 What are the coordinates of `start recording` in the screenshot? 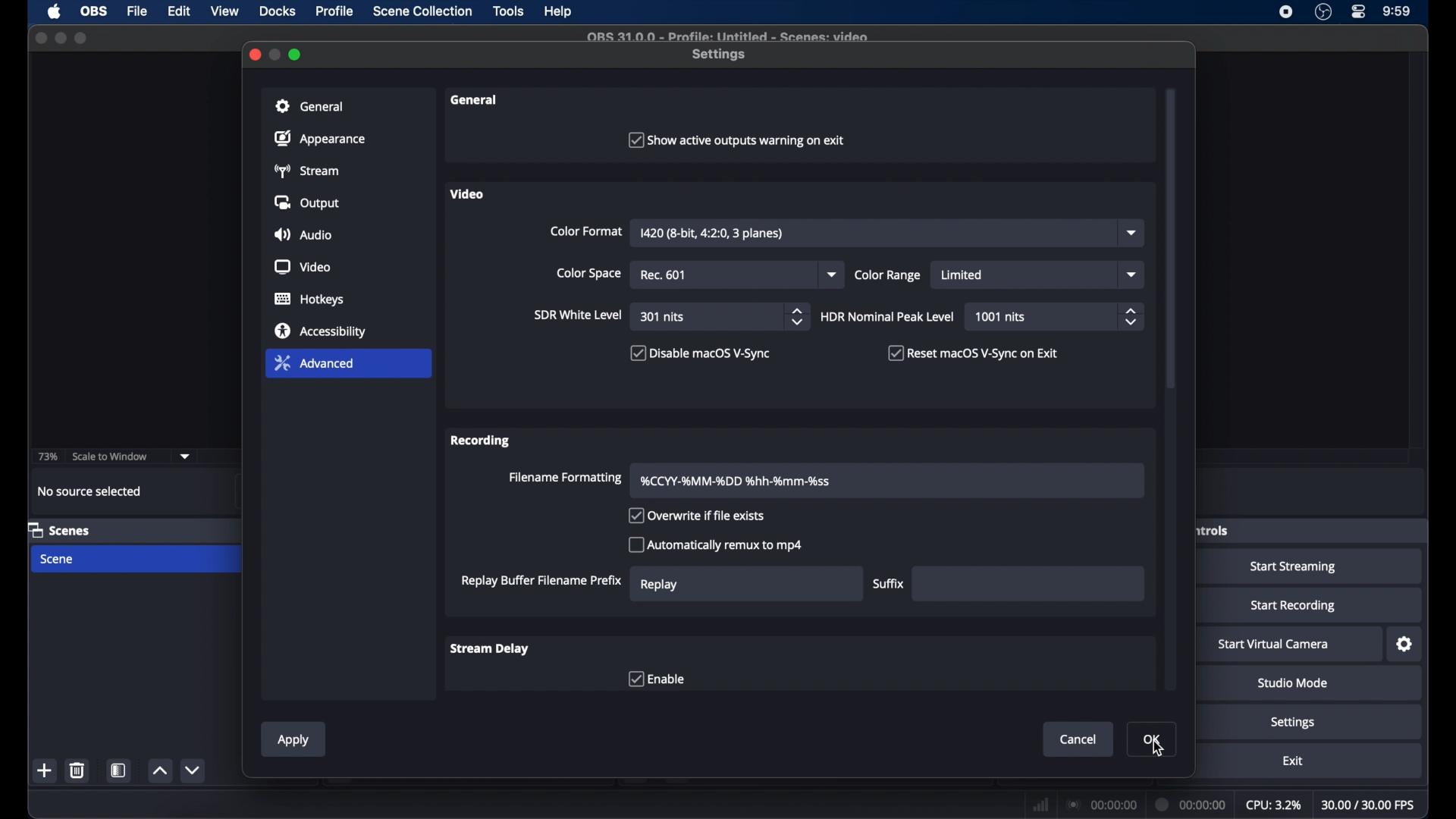 It's located at (1294, 606).